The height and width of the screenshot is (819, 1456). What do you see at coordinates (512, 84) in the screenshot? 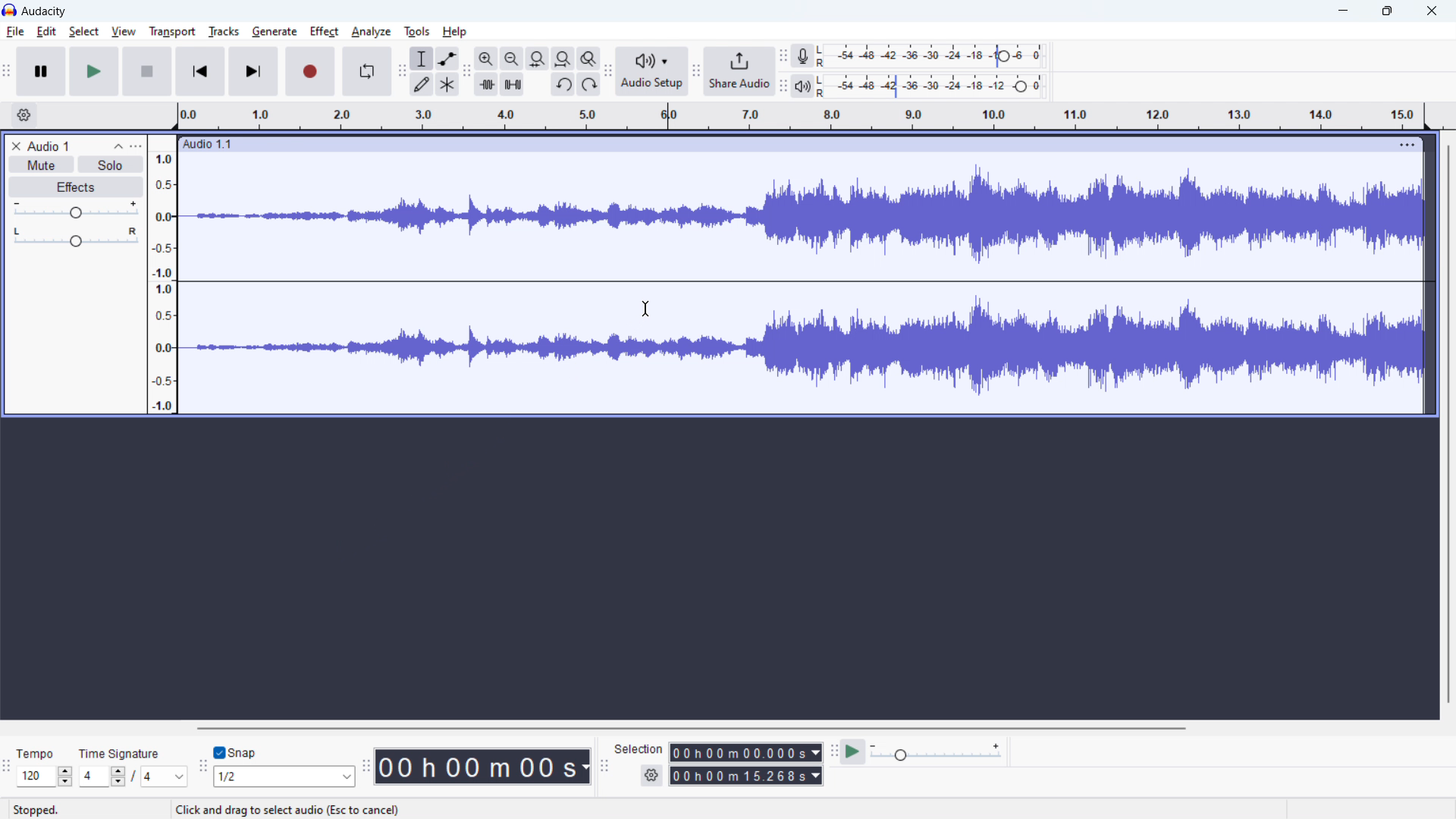
I see `silence audio selection` at bounding box center [512, 84].